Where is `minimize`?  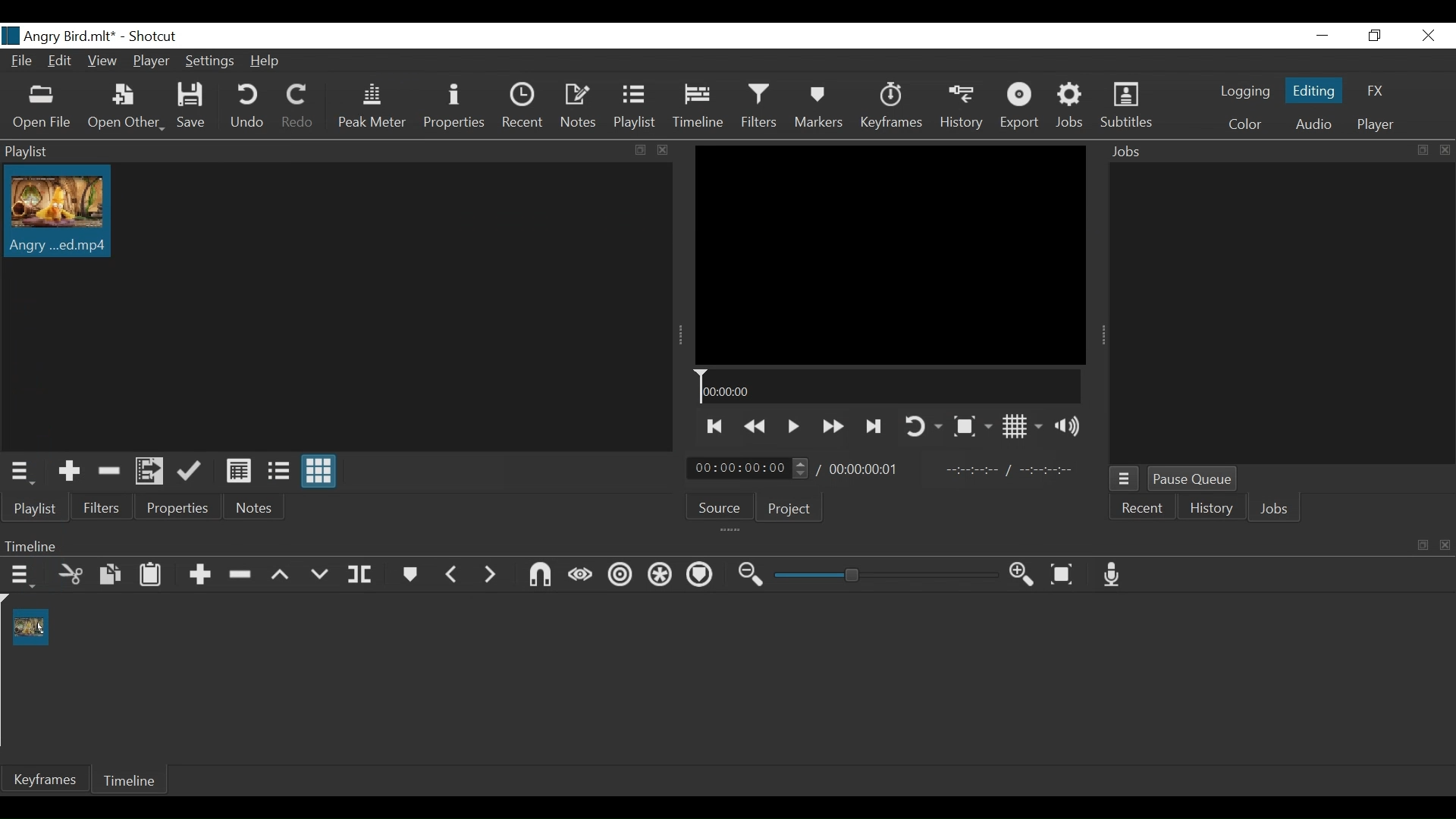 minimize is located at coordinates (1323, 35).